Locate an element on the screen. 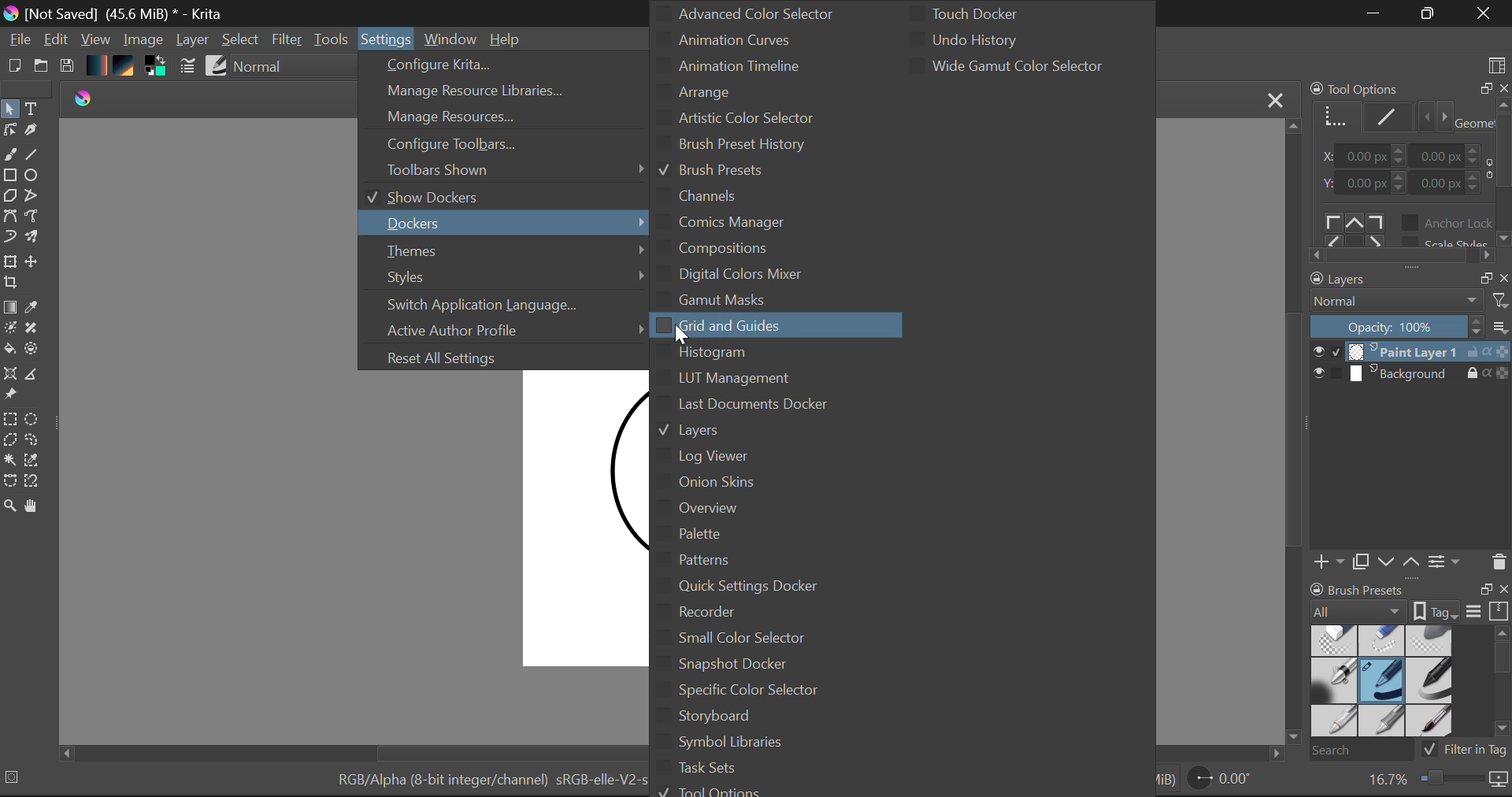  Colors in use is located at coordinates (159, 69).